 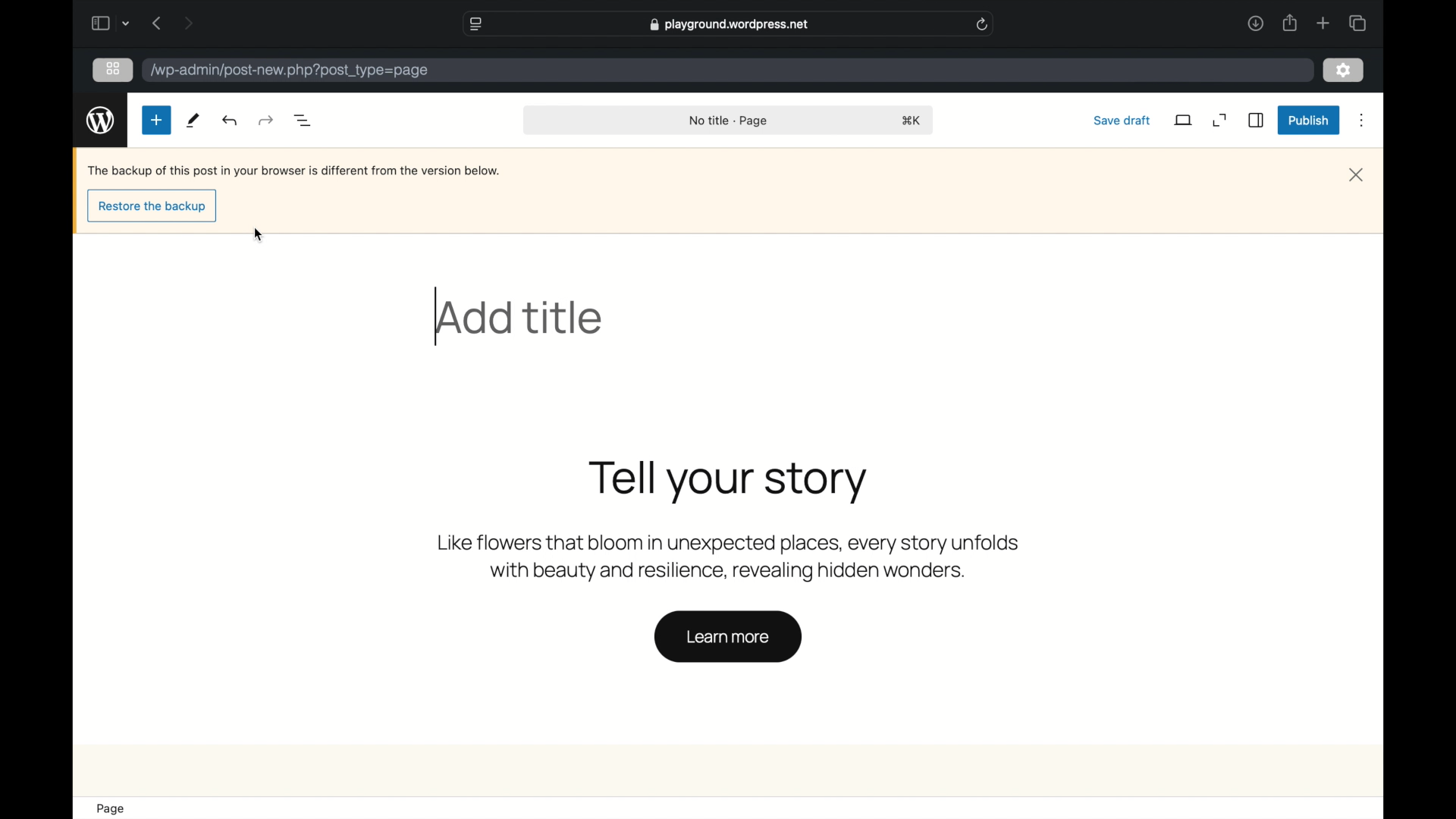 I want to click on share, so click(x=1291, y=24).